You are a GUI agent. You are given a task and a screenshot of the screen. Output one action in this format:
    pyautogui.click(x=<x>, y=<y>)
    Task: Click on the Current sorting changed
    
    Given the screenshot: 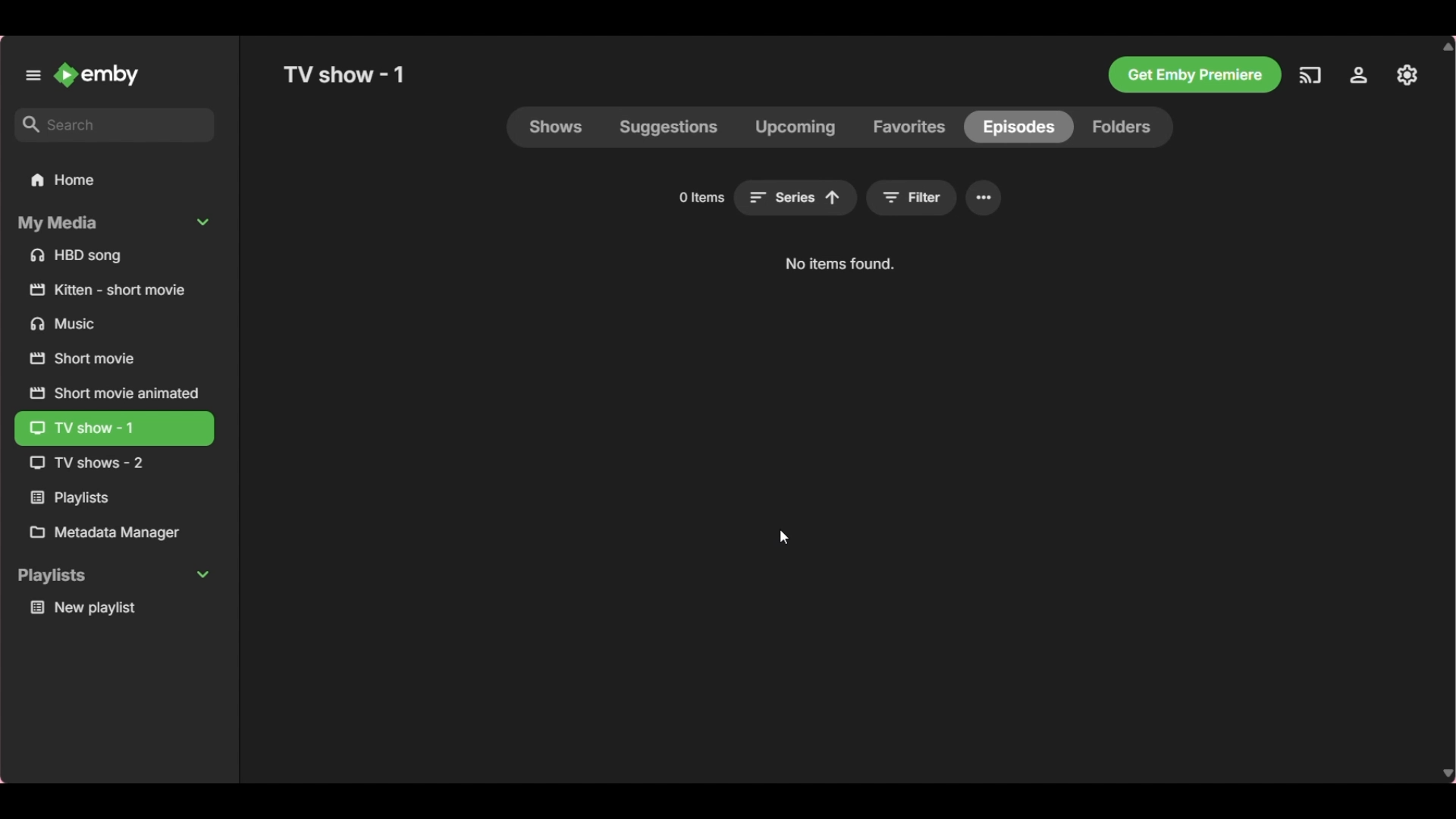 What is the action you would take?
    pyautogui.click(x=795, y=198)
    